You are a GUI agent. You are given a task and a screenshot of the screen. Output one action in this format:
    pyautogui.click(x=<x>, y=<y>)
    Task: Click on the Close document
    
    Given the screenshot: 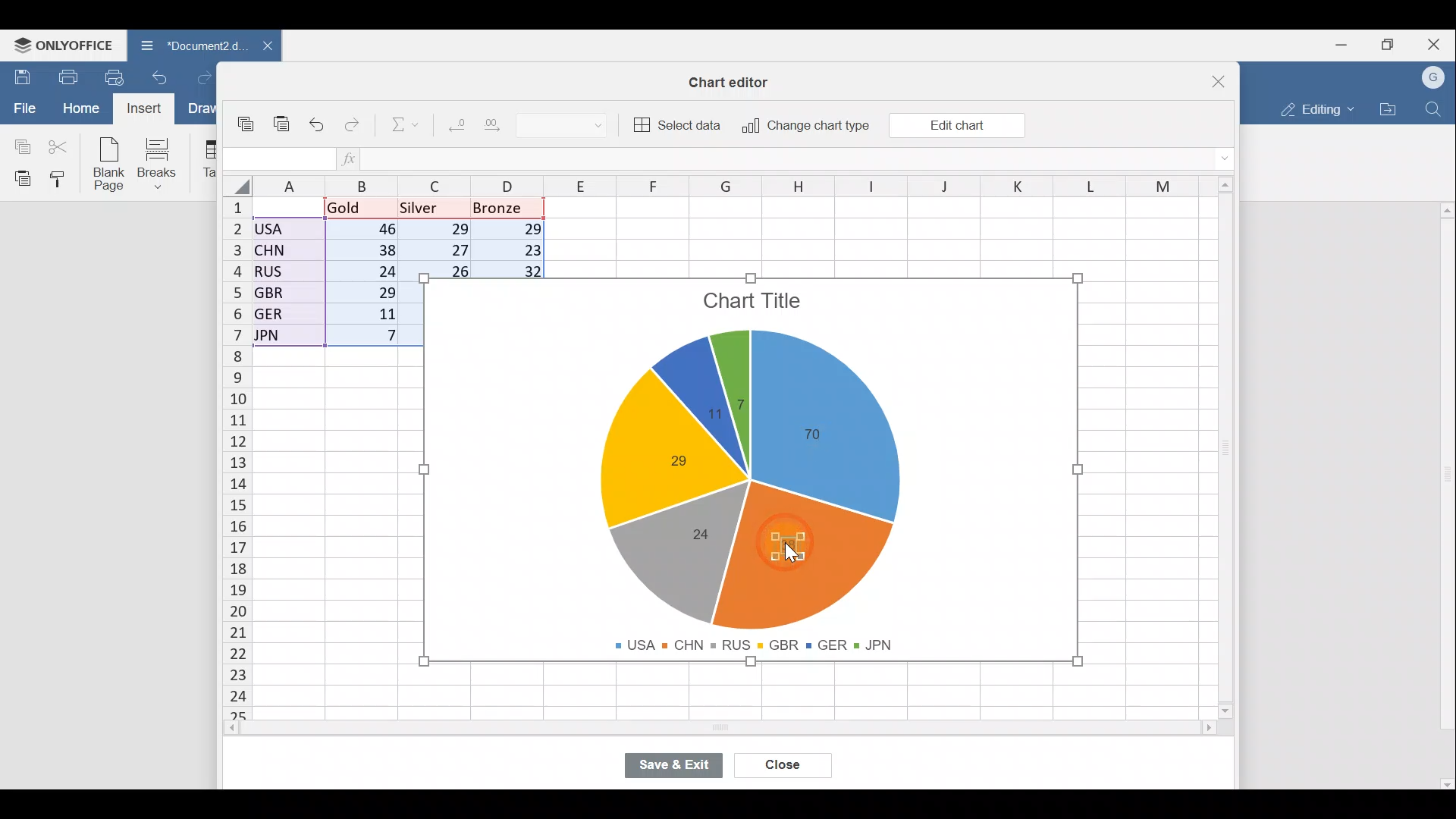 What is the action you would take?
    pyautogui.click(x=265, y=47)
    